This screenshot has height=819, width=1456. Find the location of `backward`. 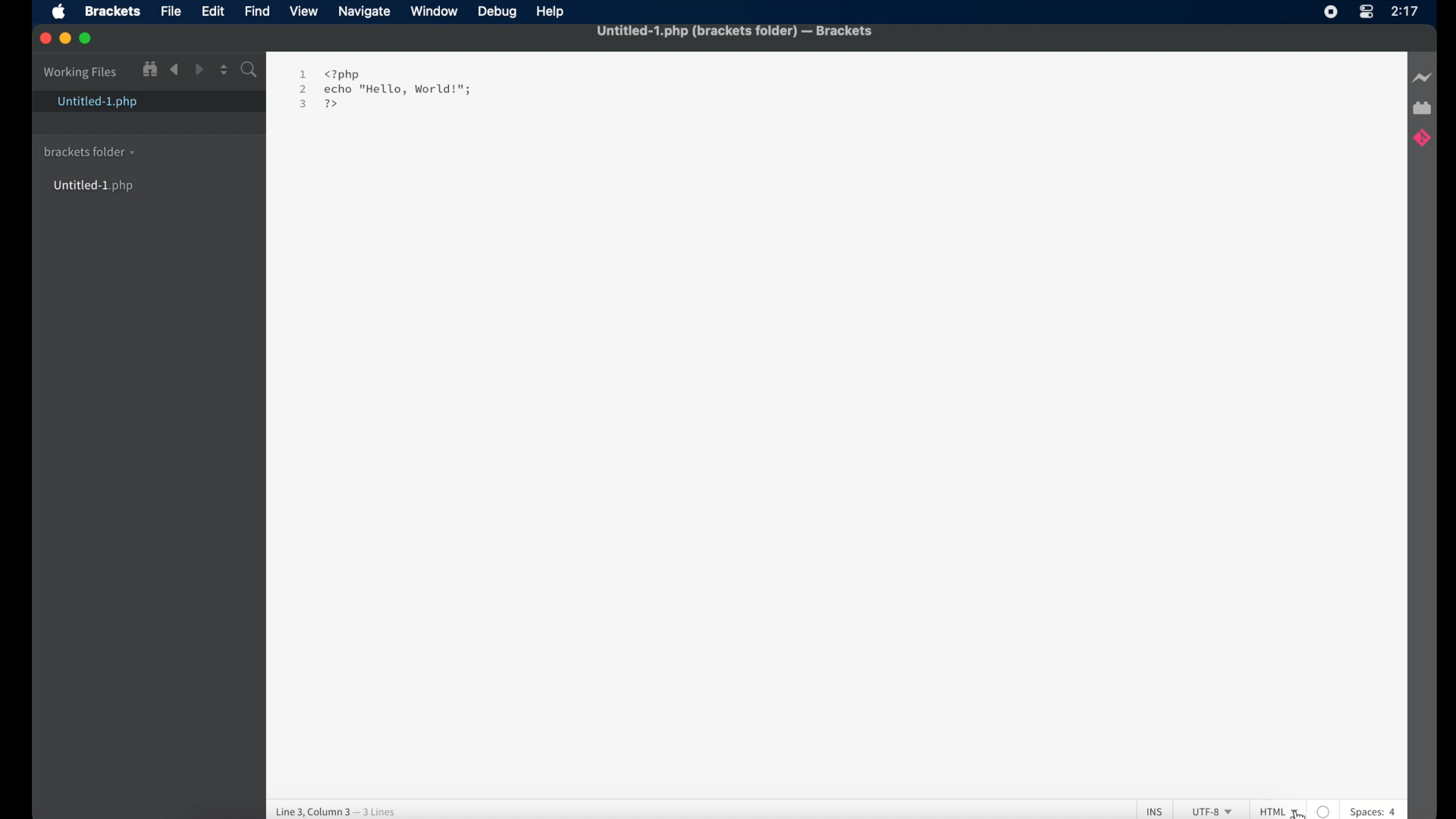

backward is located at coordinates (174, 70).